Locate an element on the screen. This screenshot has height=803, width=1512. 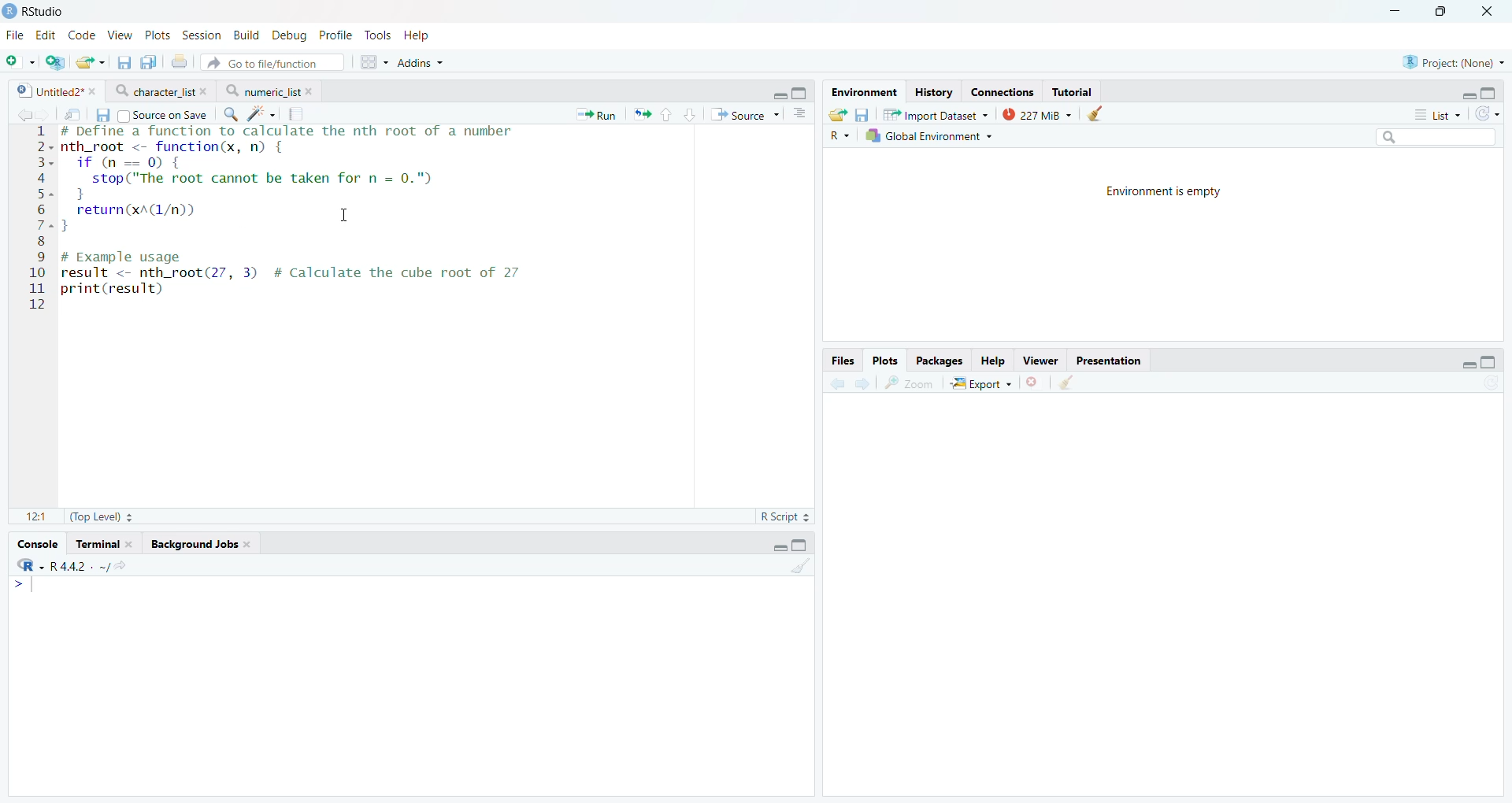
Compile report is located at coordinates (298, 113).